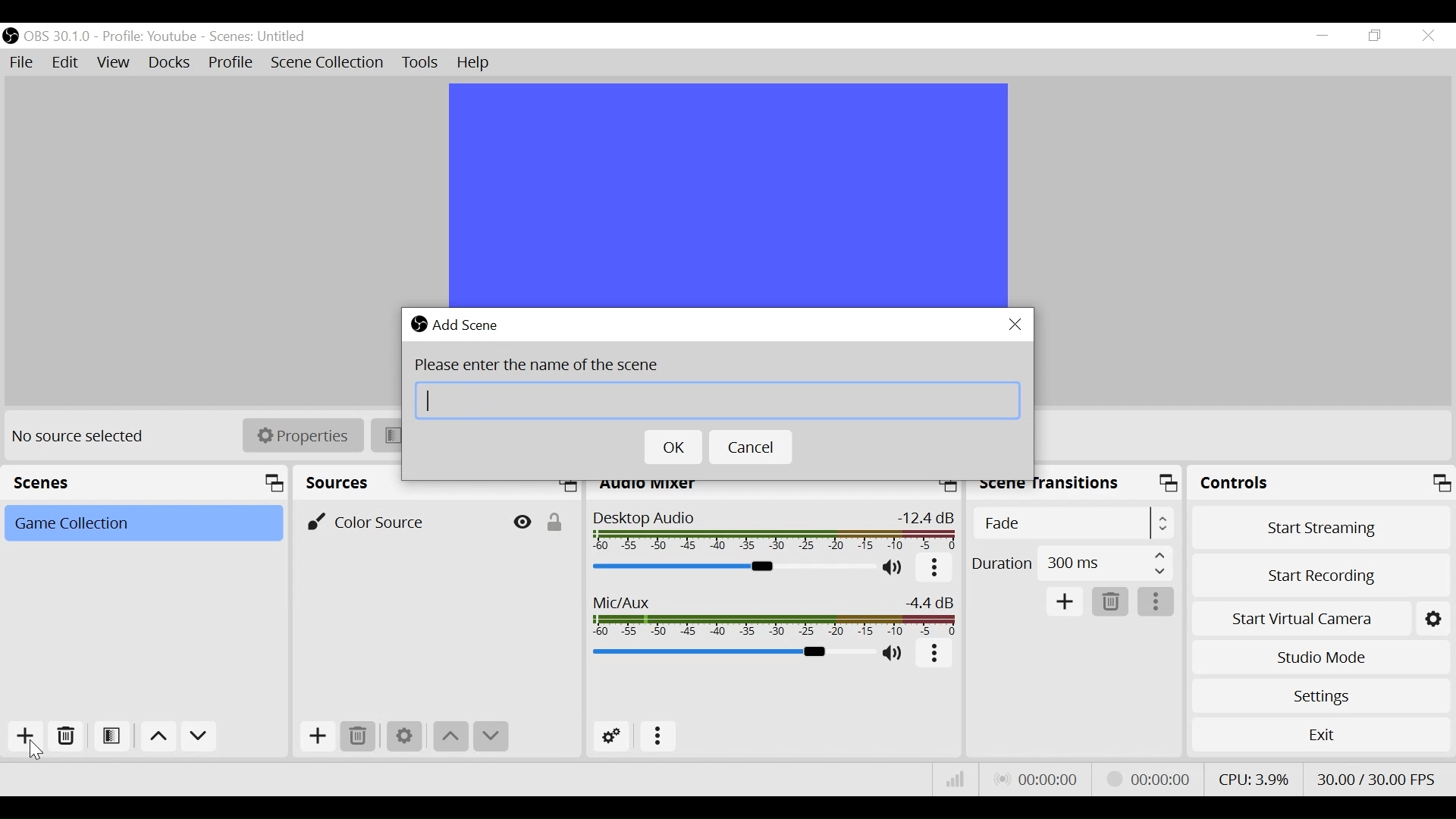 The width and height of the screenshot is (1456, 819). I want to click on Controls, so click(1322, 482).